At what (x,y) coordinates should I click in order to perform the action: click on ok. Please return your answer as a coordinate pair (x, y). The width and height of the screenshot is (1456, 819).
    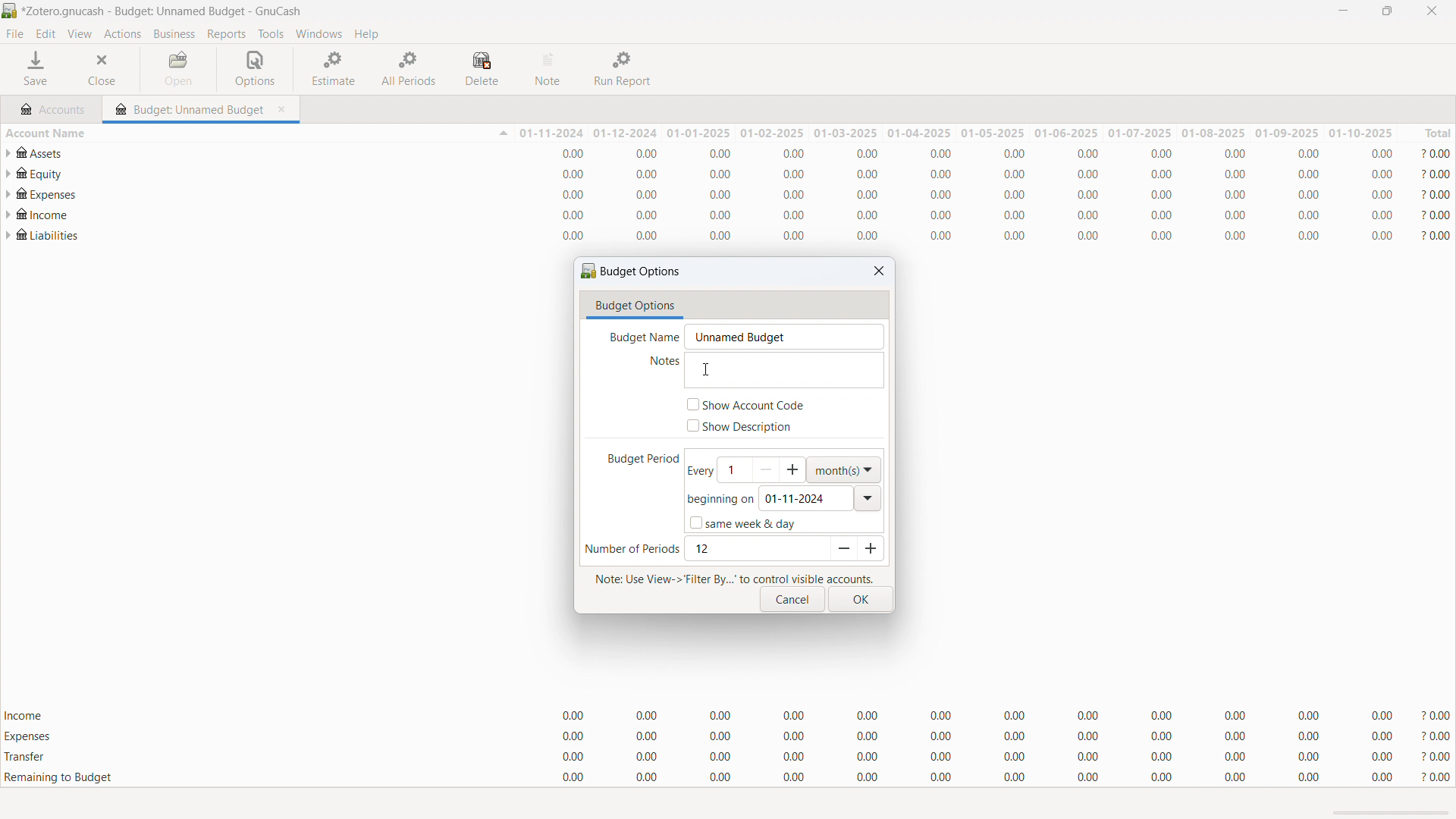
    Looking at the image, I should click on (861, 600).